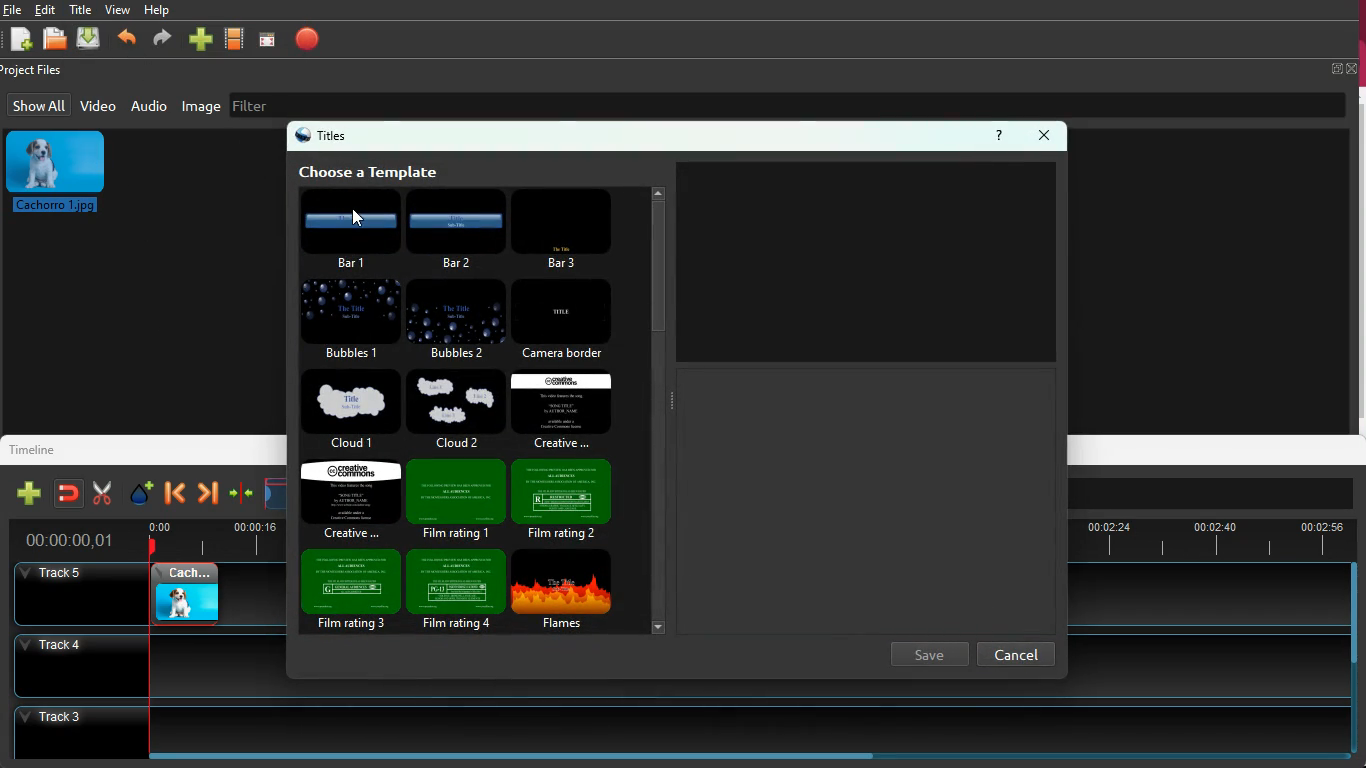 Image resolution: width=1366 pixels, height=768 pixels. I want to click on crative, so click(353, 499).